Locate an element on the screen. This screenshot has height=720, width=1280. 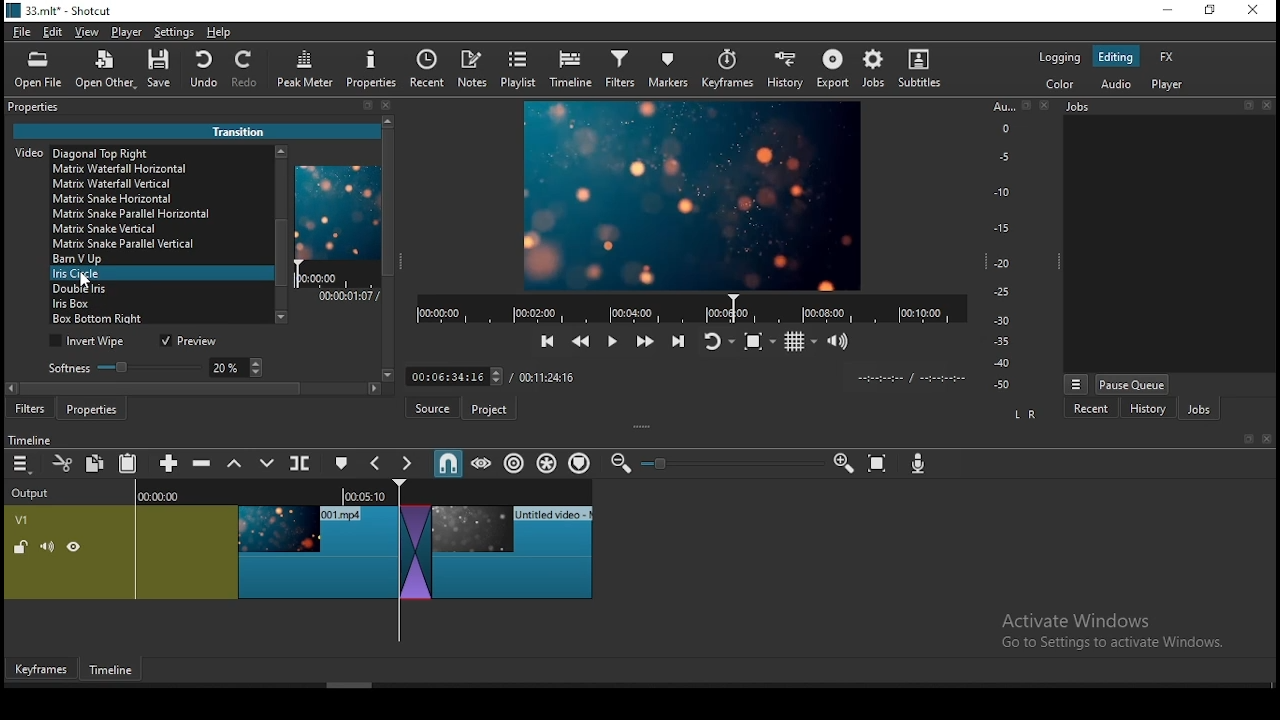
export is located at coordinates (835, 68).